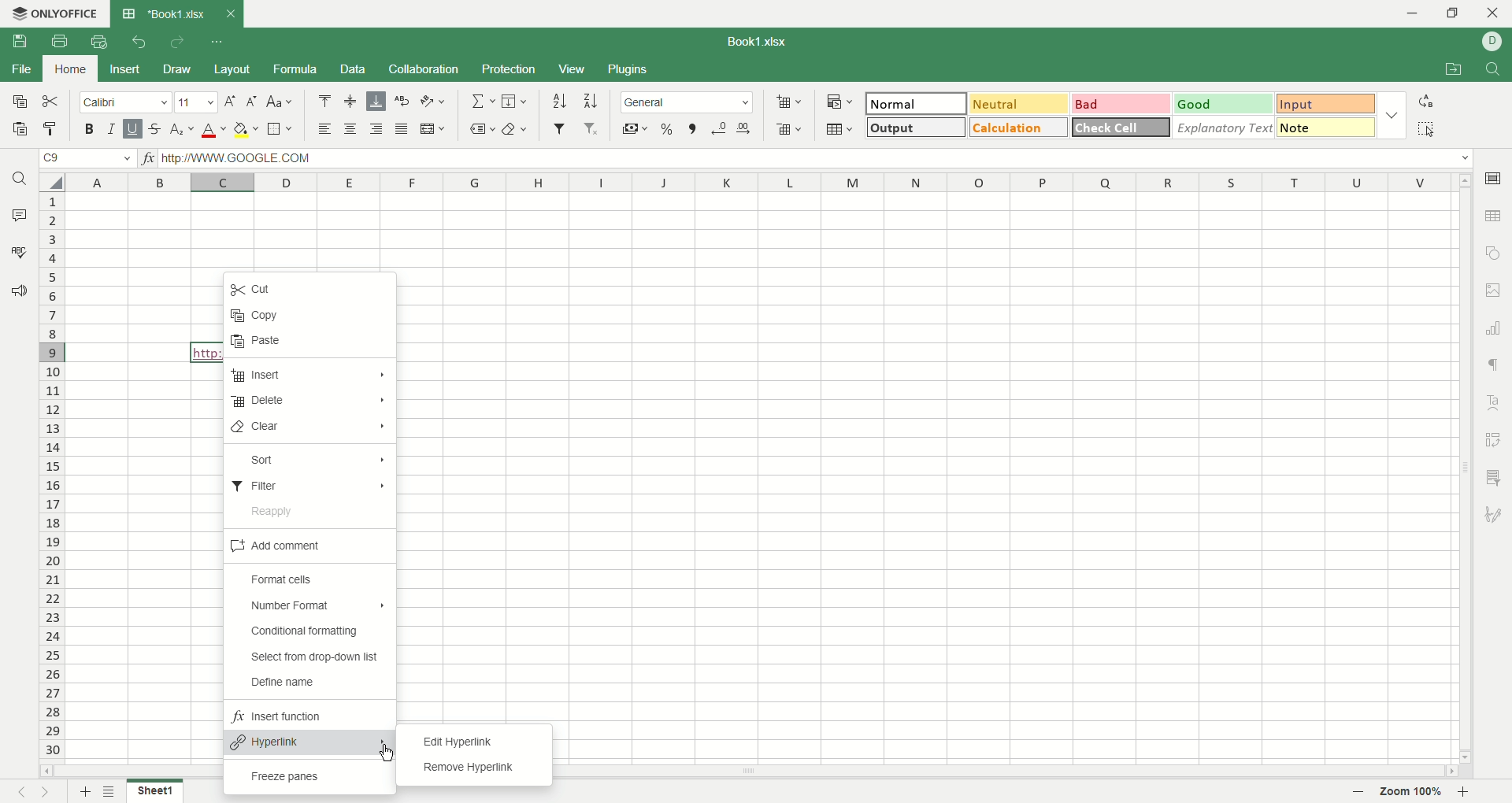 The height and width of the screenshot is (803, 1512). I want to click on clear, so click(516, 131).